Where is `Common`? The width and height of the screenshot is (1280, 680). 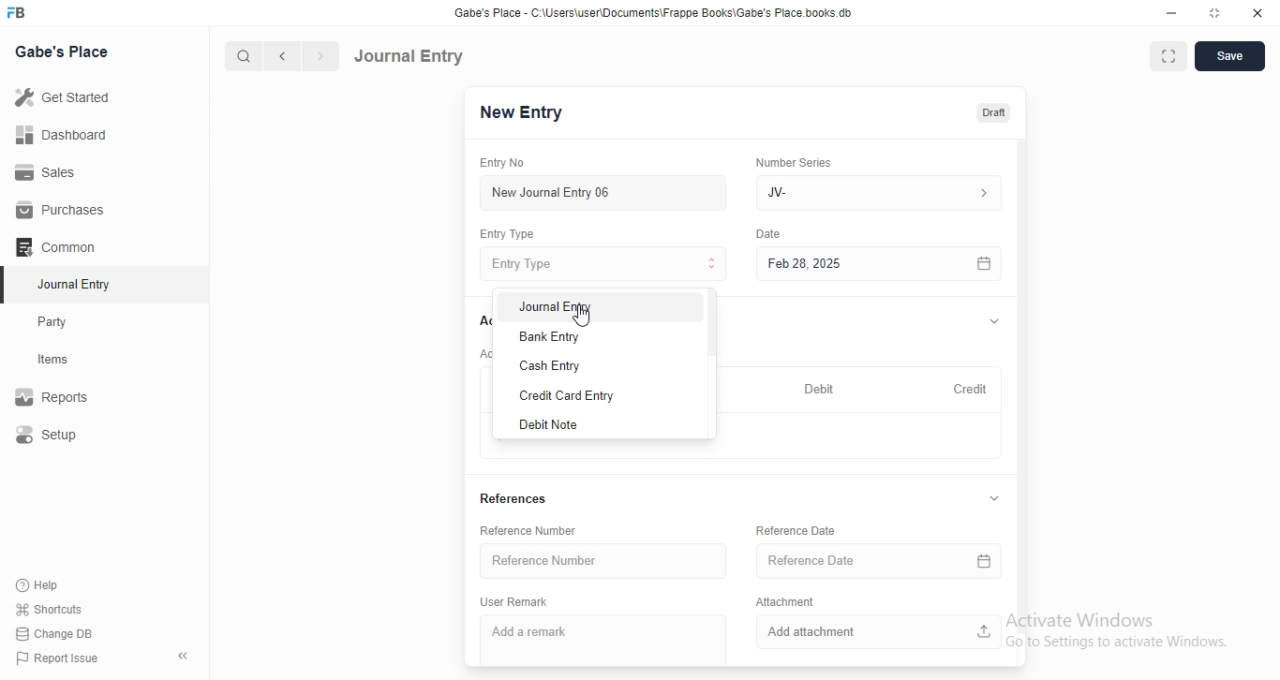
Common is located at coordinates (61, 247).